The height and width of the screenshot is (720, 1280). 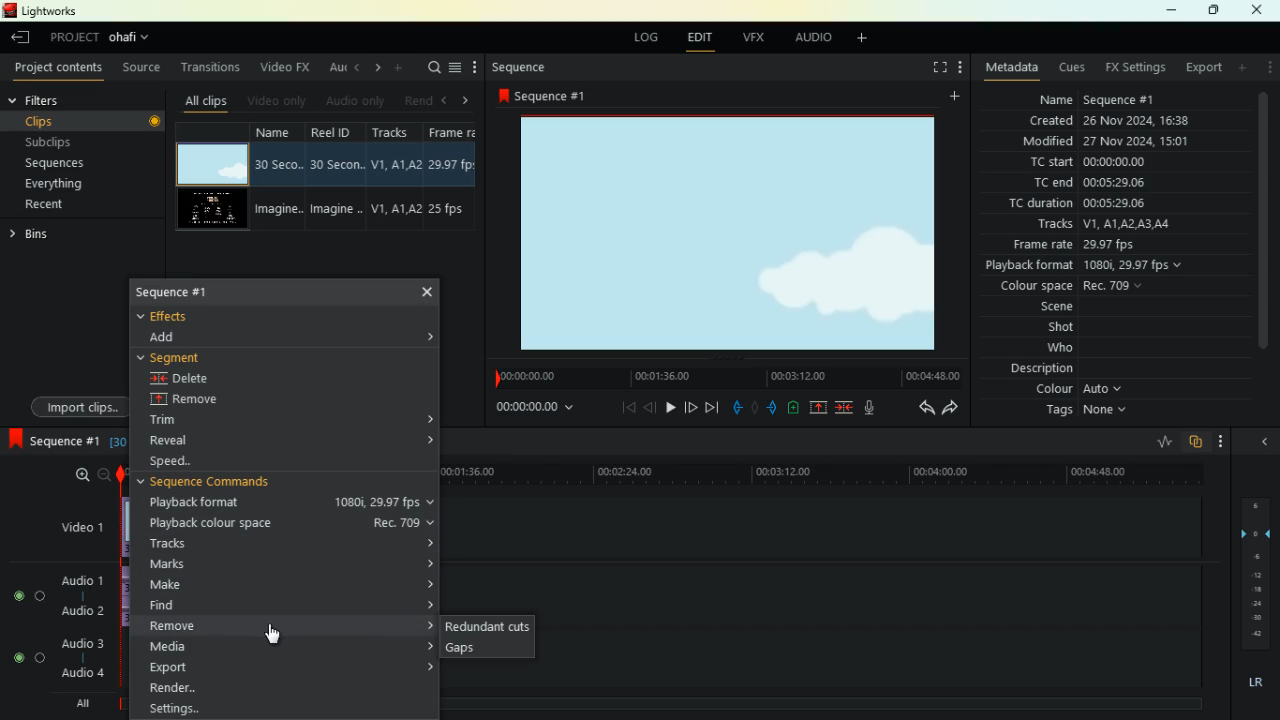 I want to click on playback format, so click(x=1084, y=267).